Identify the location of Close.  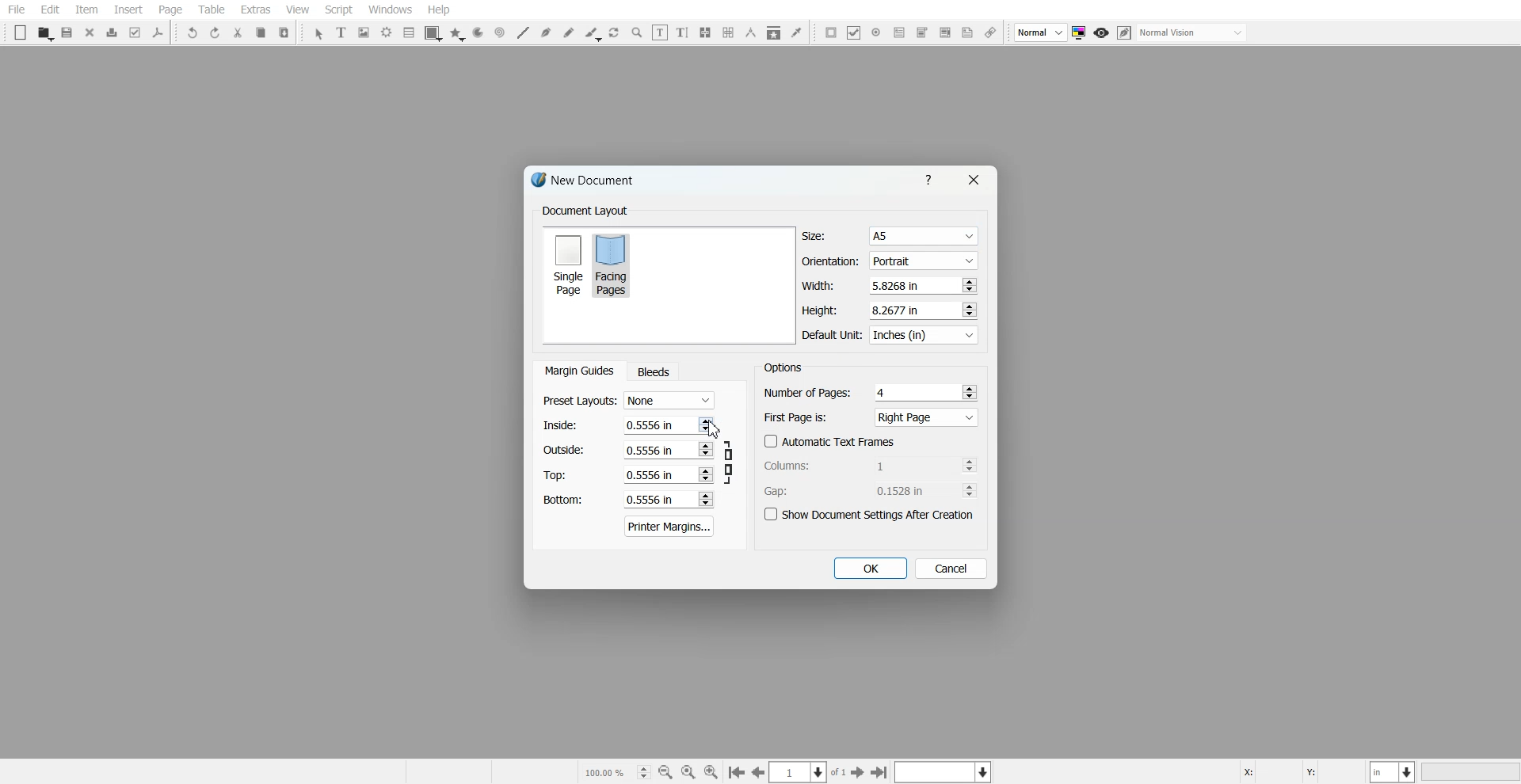
(90, 32).